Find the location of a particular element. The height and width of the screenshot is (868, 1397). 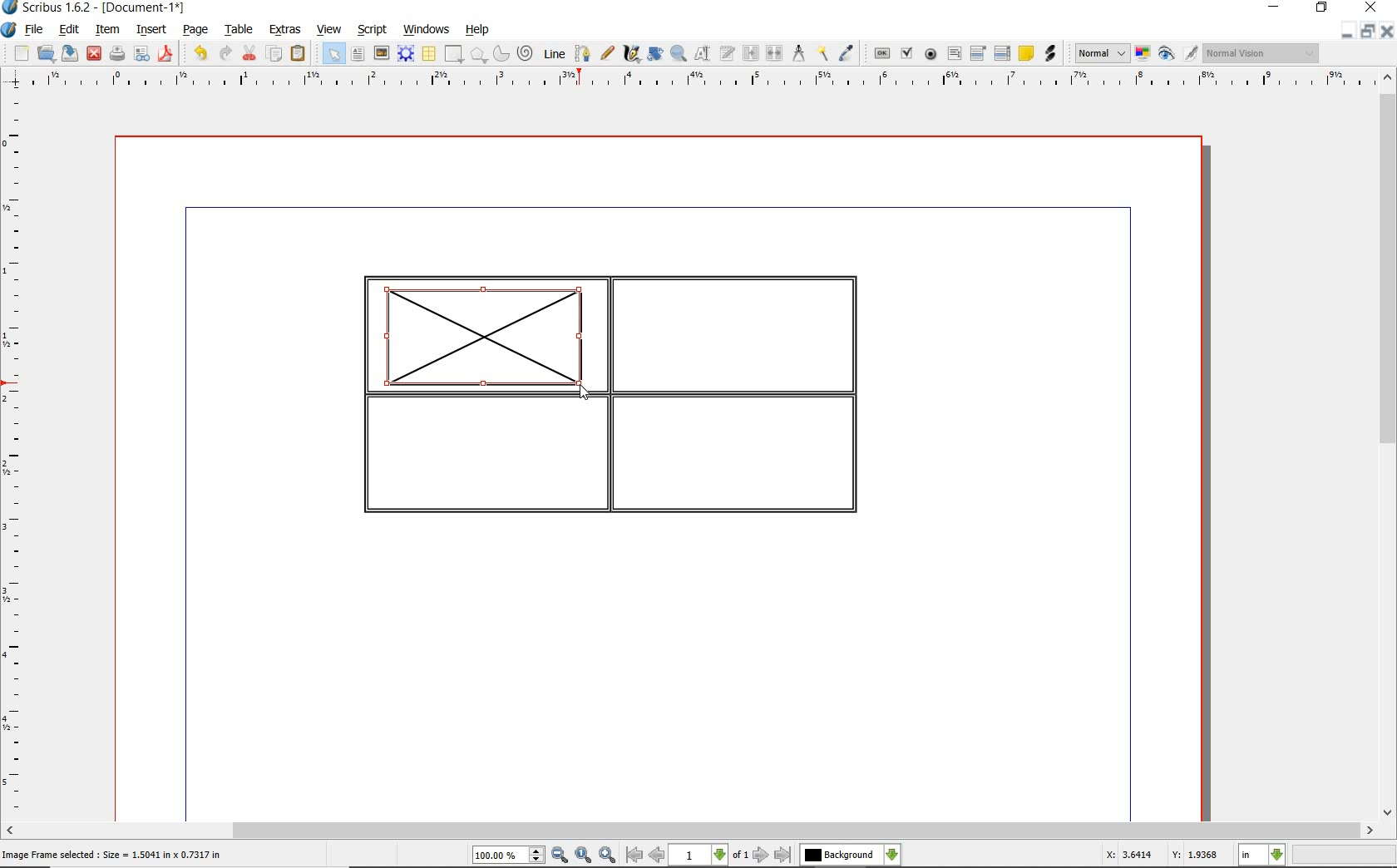

cut is located at coordinates (251, 52).